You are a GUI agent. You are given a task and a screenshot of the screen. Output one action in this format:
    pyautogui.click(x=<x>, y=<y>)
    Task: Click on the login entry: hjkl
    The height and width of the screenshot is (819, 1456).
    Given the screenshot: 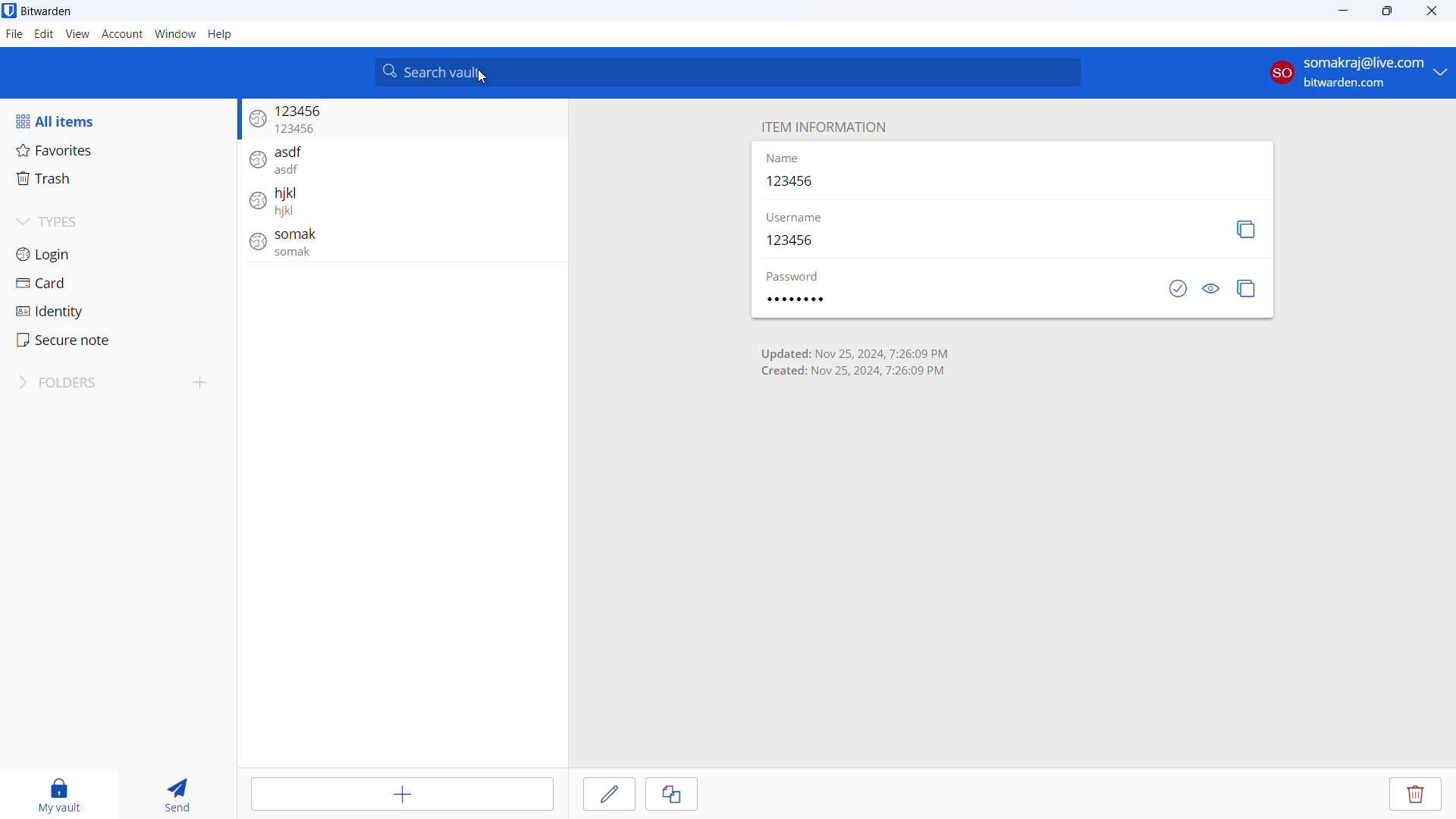 What is the action you would take?
    pyautogui.click(x=397, y=203)
    